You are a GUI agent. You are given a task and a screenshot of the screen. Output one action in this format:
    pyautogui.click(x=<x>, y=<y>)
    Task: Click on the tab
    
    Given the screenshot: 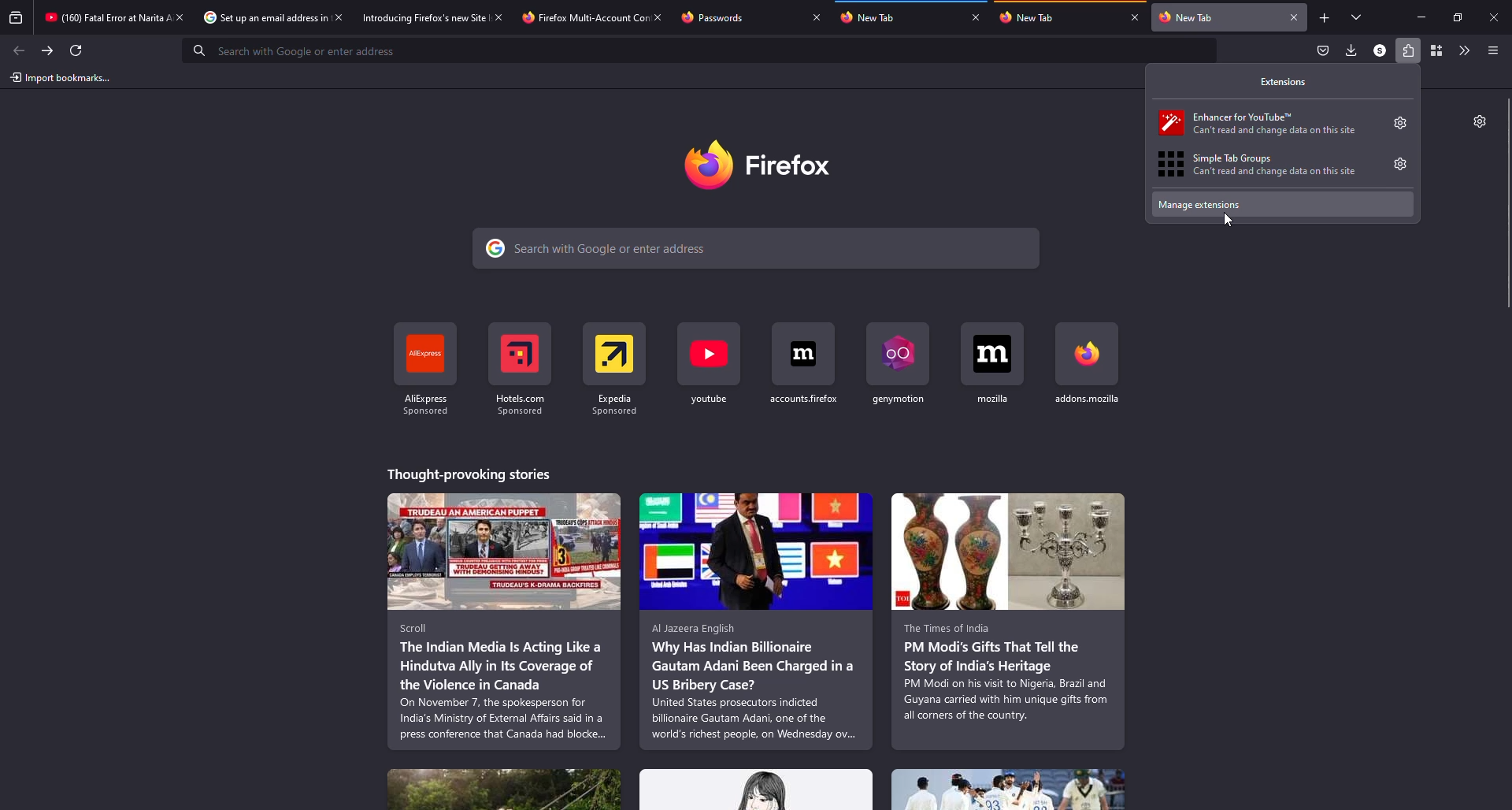 What is the action you would take?
    pyautogui.click(x=1192, y=17)
    